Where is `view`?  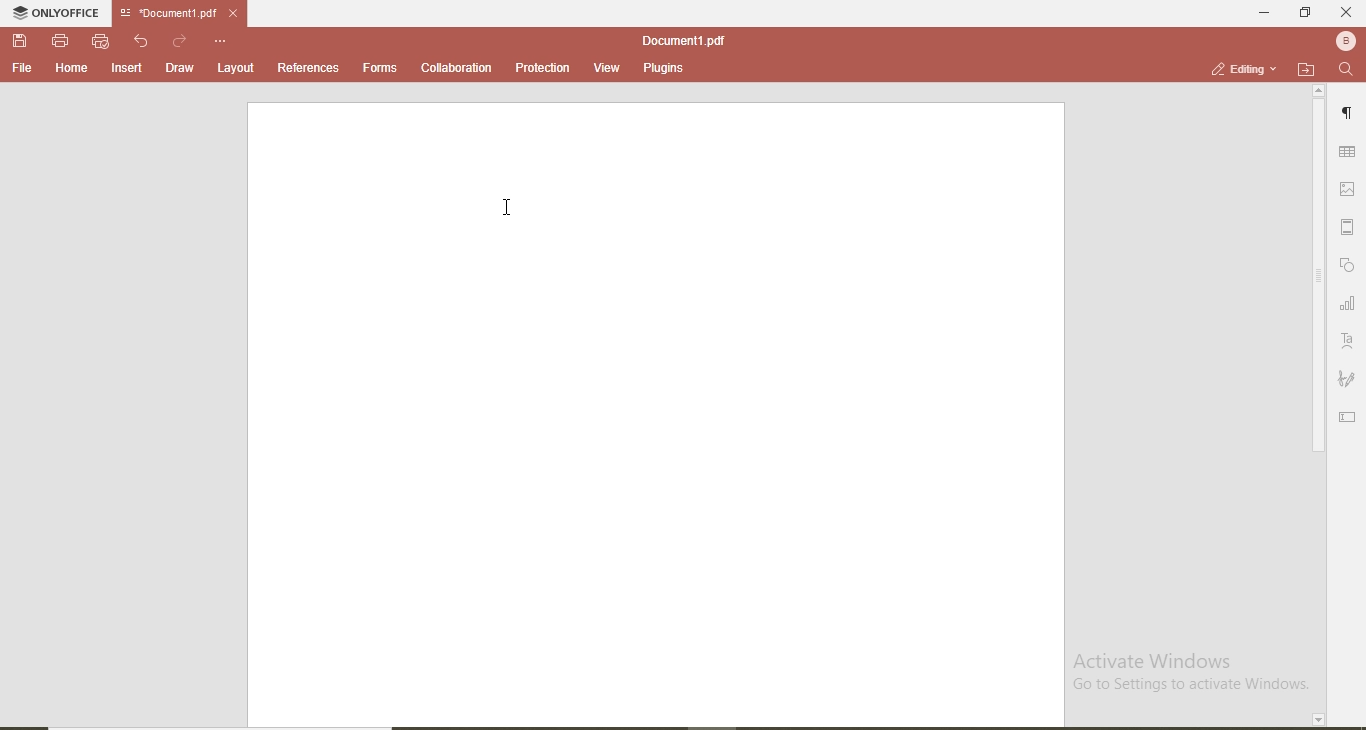 view is located at coordinates (608, 67).